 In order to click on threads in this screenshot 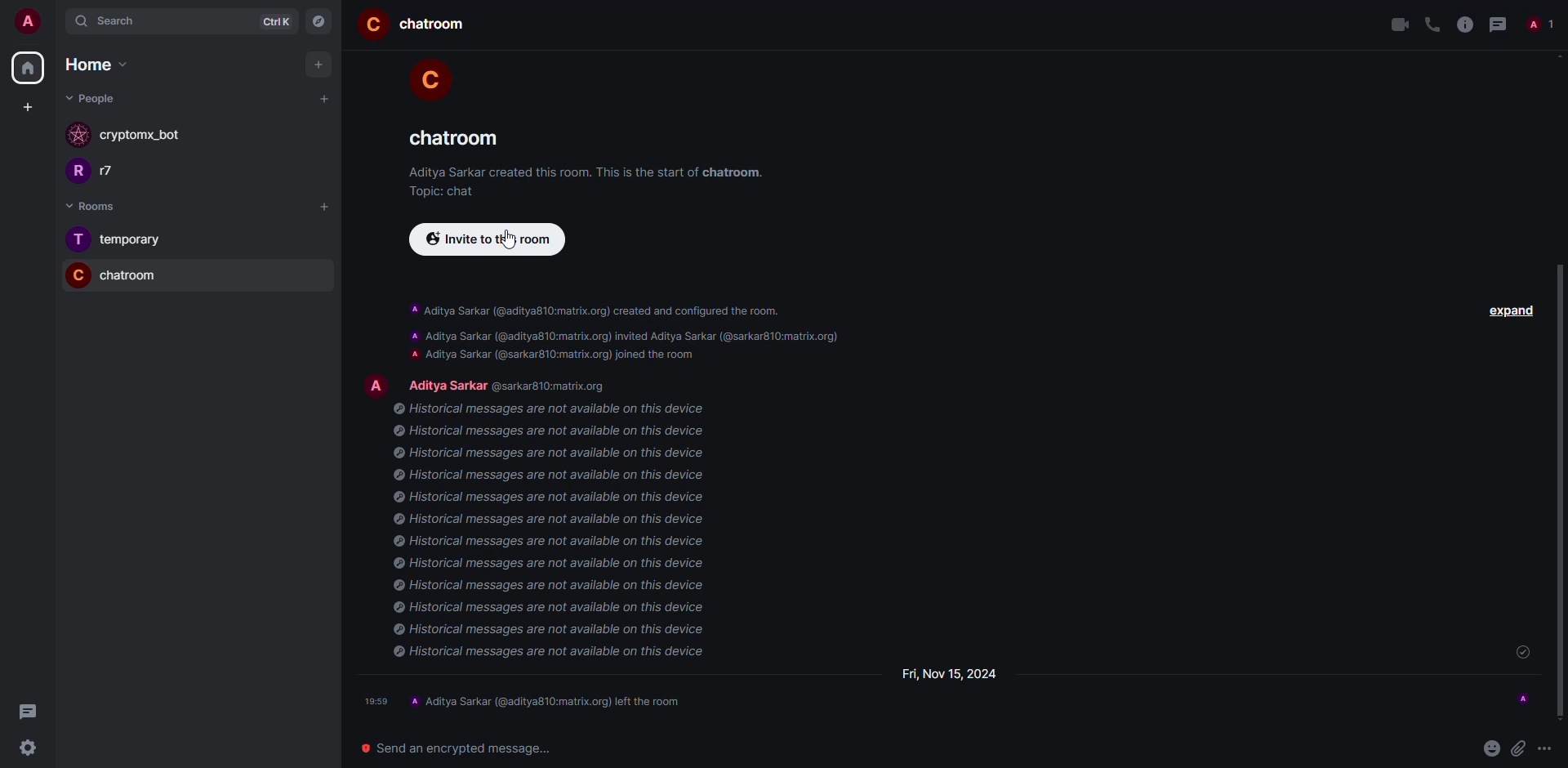, I will do `click(1497, 25)`.